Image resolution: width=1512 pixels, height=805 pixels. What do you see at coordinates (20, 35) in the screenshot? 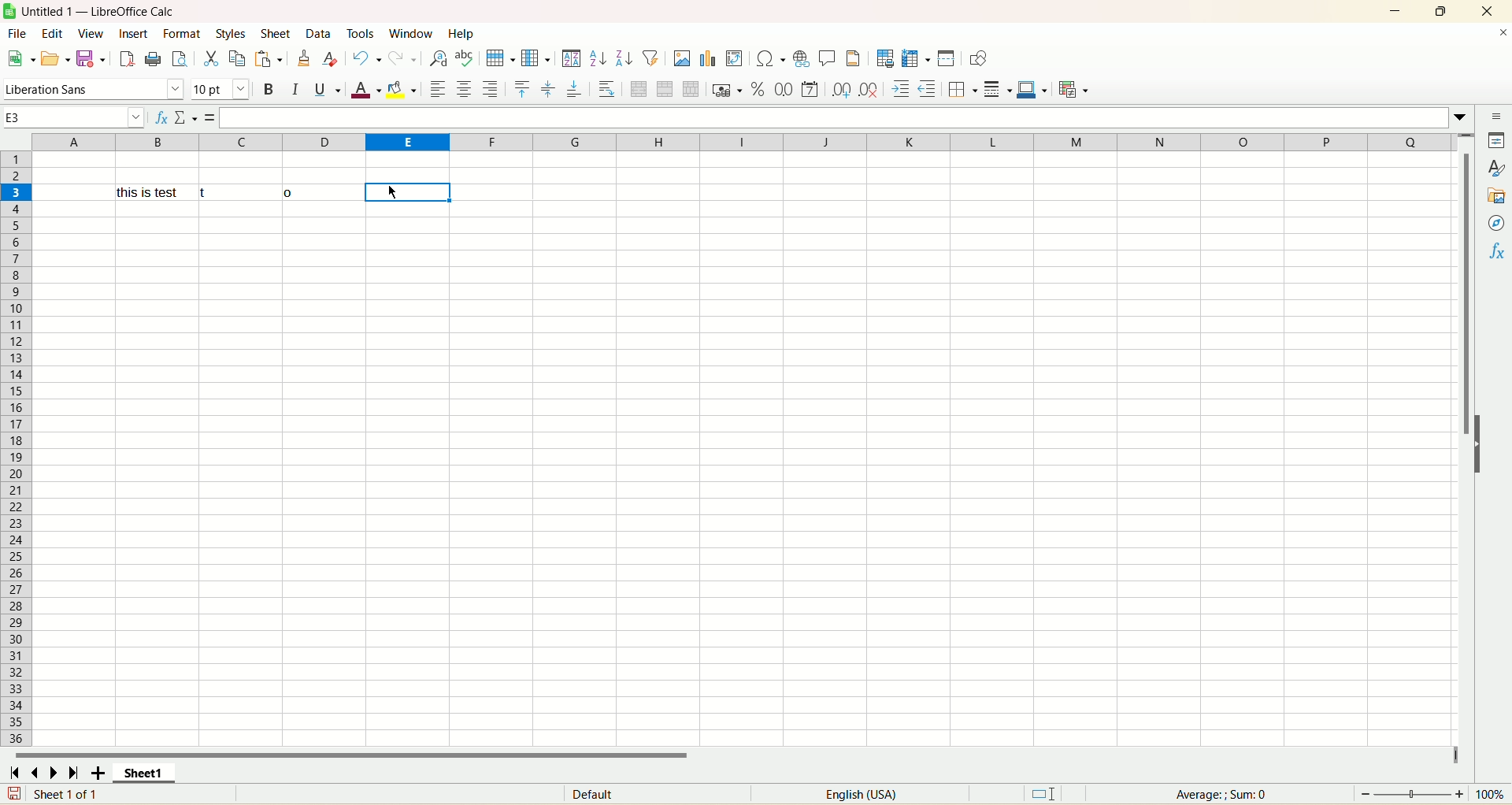
I see `file` at bounding box center [20, 35].